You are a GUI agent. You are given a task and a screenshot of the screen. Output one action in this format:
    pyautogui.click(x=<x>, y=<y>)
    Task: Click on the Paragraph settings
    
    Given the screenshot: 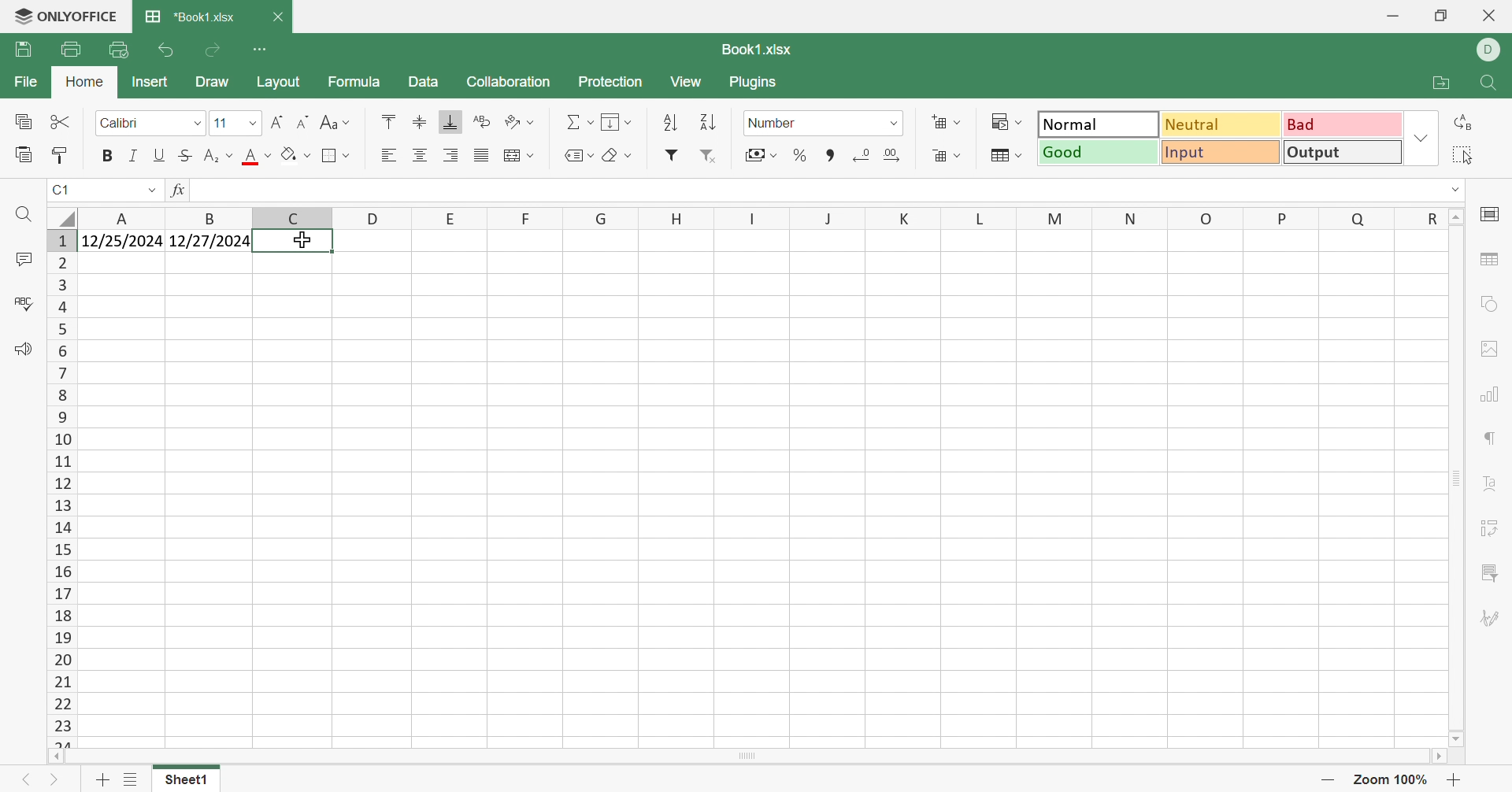 What is the action you would take?
    pyautogui.click(x=1489, y=442)
    